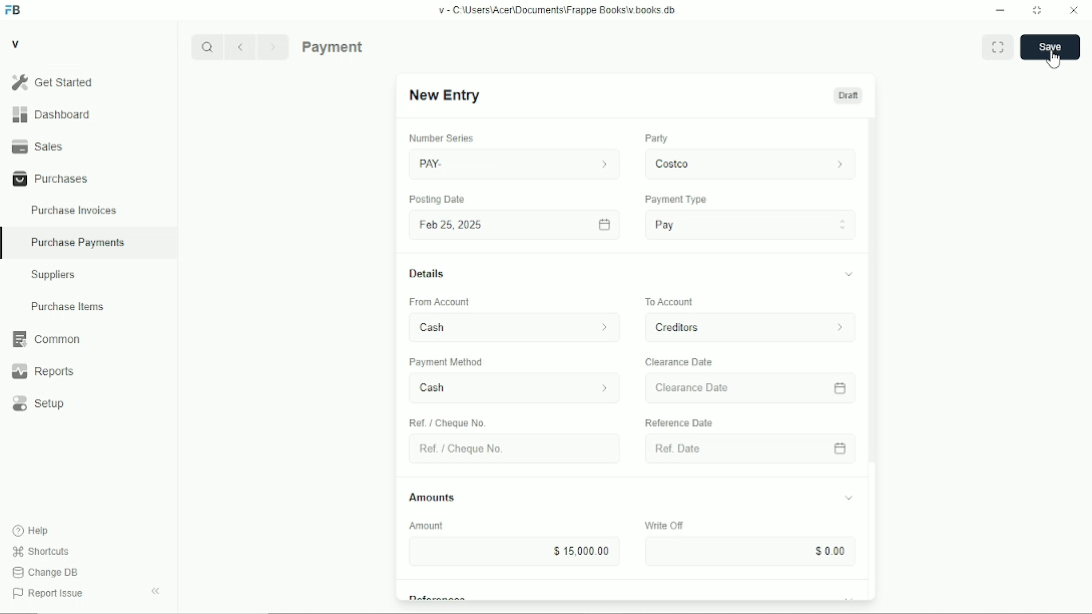 The height and width of the screenshot is (614, 1092). Describe the element at coordinates (41, 552) in the screenshot. I see `Shortcuts` at that location.